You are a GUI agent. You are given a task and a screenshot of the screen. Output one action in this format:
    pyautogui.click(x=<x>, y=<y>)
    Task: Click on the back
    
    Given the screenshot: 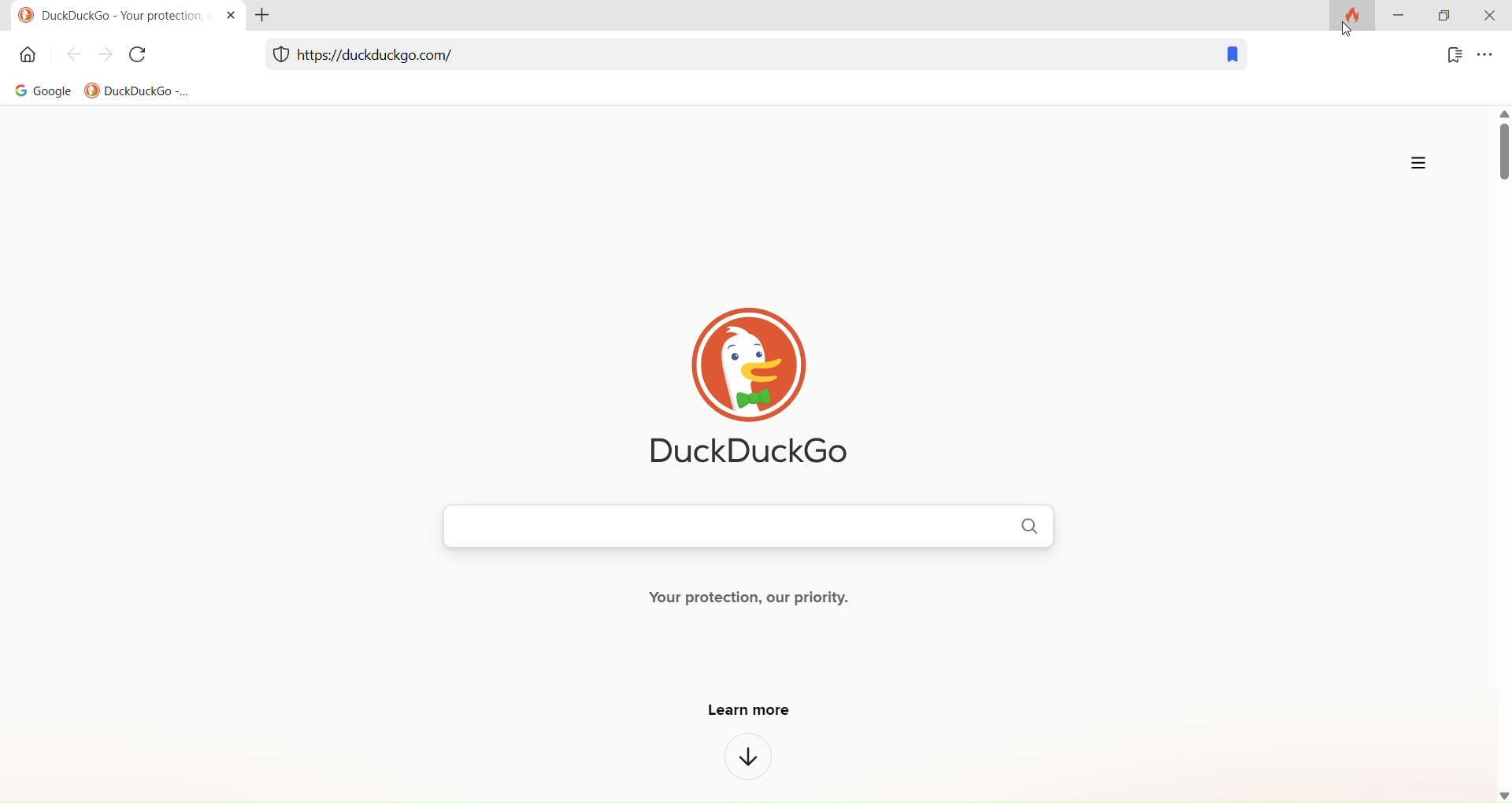 What is the action you would take?
    pyautogui.click(x=75, y=55)
    